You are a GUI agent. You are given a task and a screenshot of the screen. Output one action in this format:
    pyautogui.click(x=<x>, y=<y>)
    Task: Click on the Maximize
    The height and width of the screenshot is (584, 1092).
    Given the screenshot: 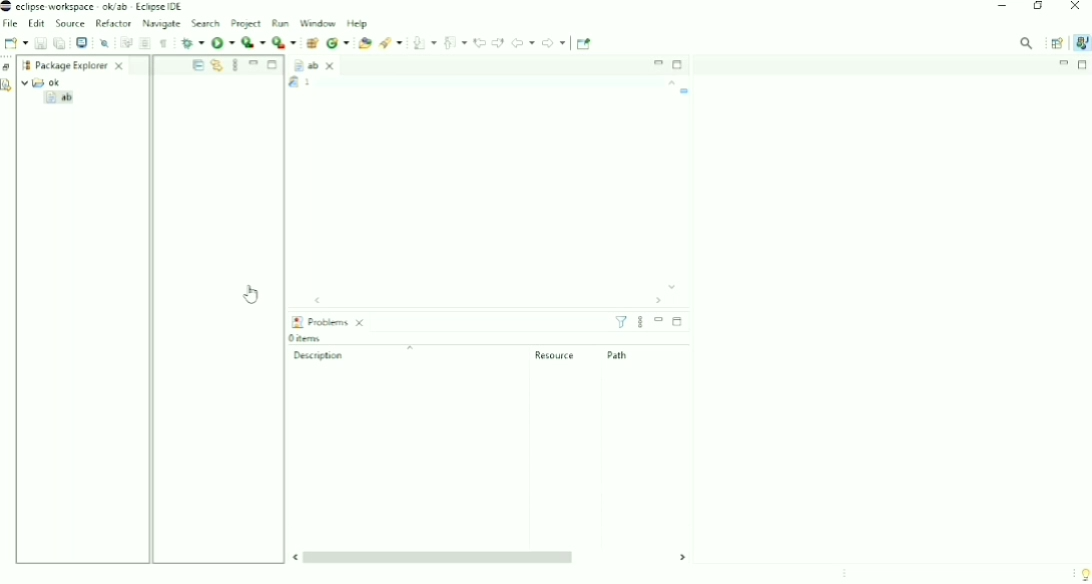 What is the action you would take?
    pyautogui.click(x=1083, y=65)
    